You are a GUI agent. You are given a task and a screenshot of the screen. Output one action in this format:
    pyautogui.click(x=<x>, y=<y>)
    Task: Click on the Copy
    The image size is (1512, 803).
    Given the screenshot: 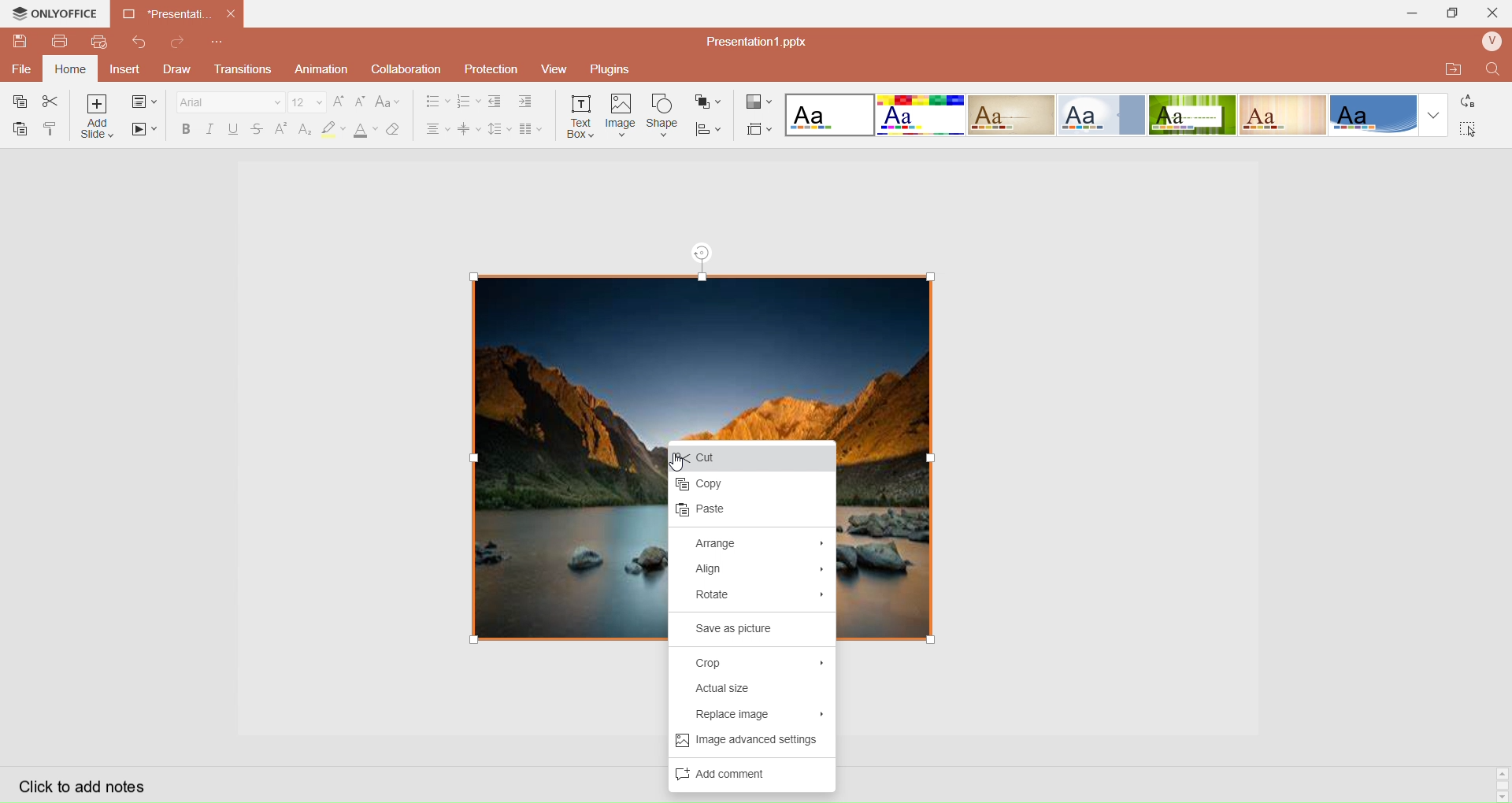 What is the action you would take?
    pyautogui.click(x=752, y=485)
    